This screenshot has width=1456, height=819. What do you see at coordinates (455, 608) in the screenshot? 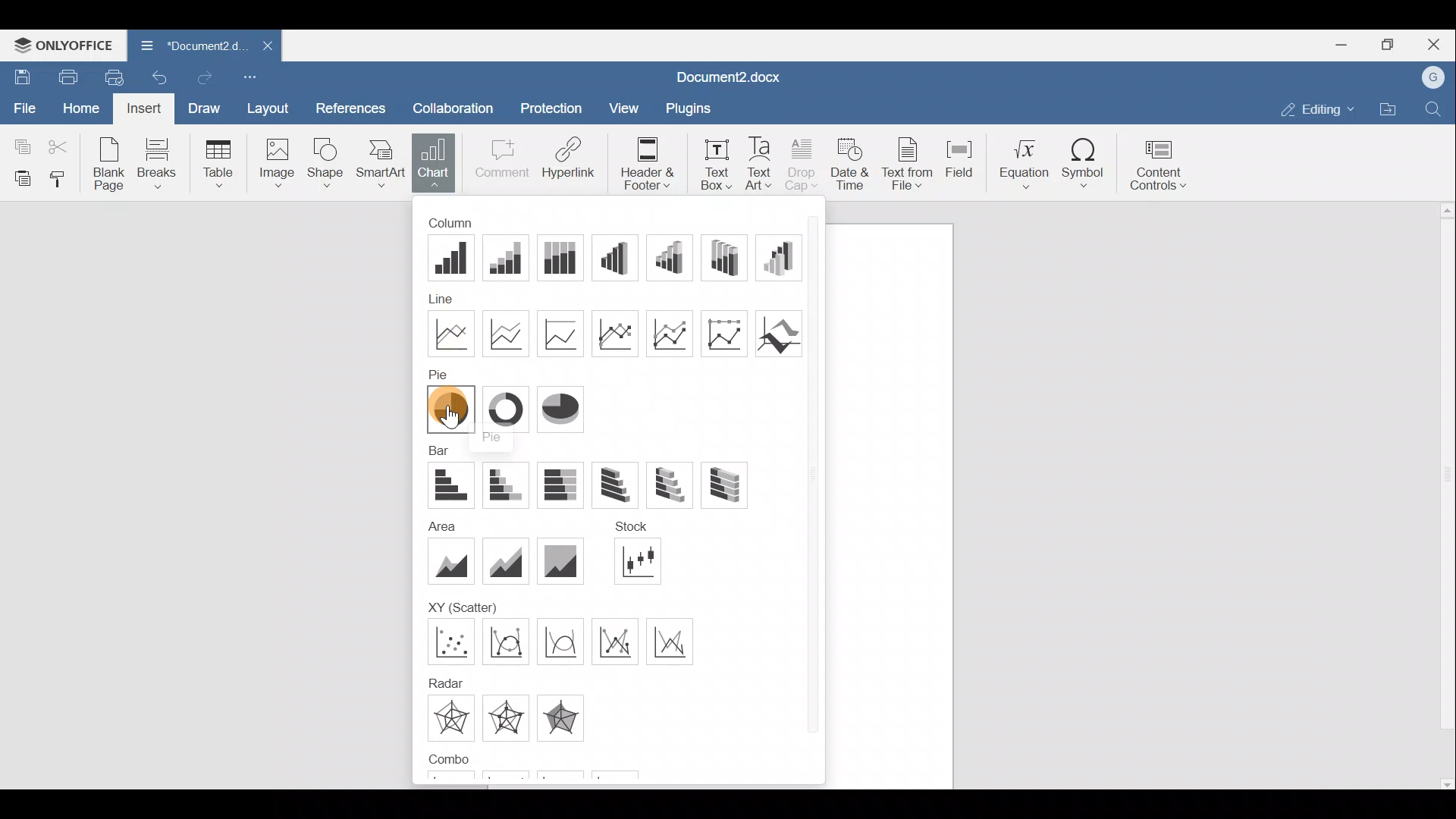
I see `XY scatter` at bounding box center [455, 608].